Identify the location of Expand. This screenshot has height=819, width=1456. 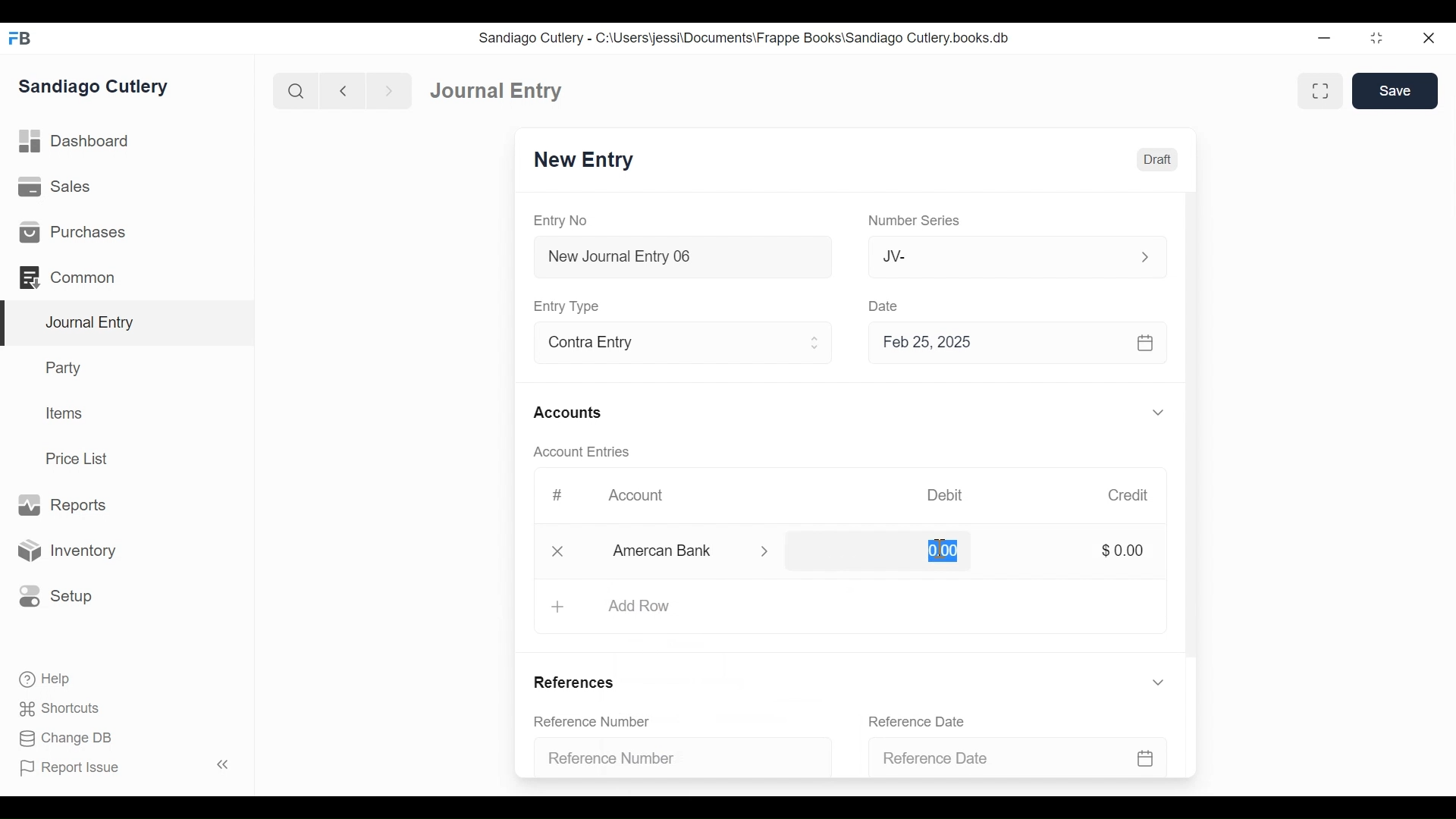
(1161, 413).